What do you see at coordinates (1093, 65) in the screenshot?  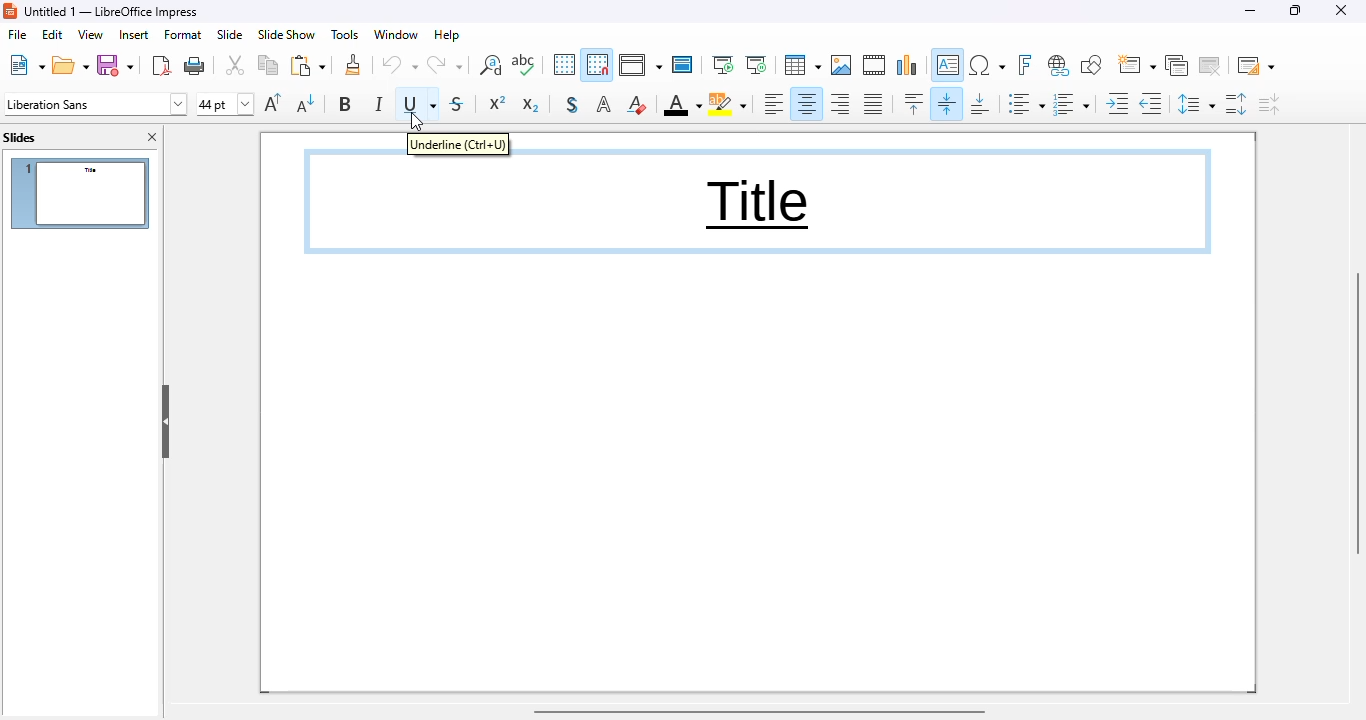 I see `show draw functions` at bounding box center [1093, 65].